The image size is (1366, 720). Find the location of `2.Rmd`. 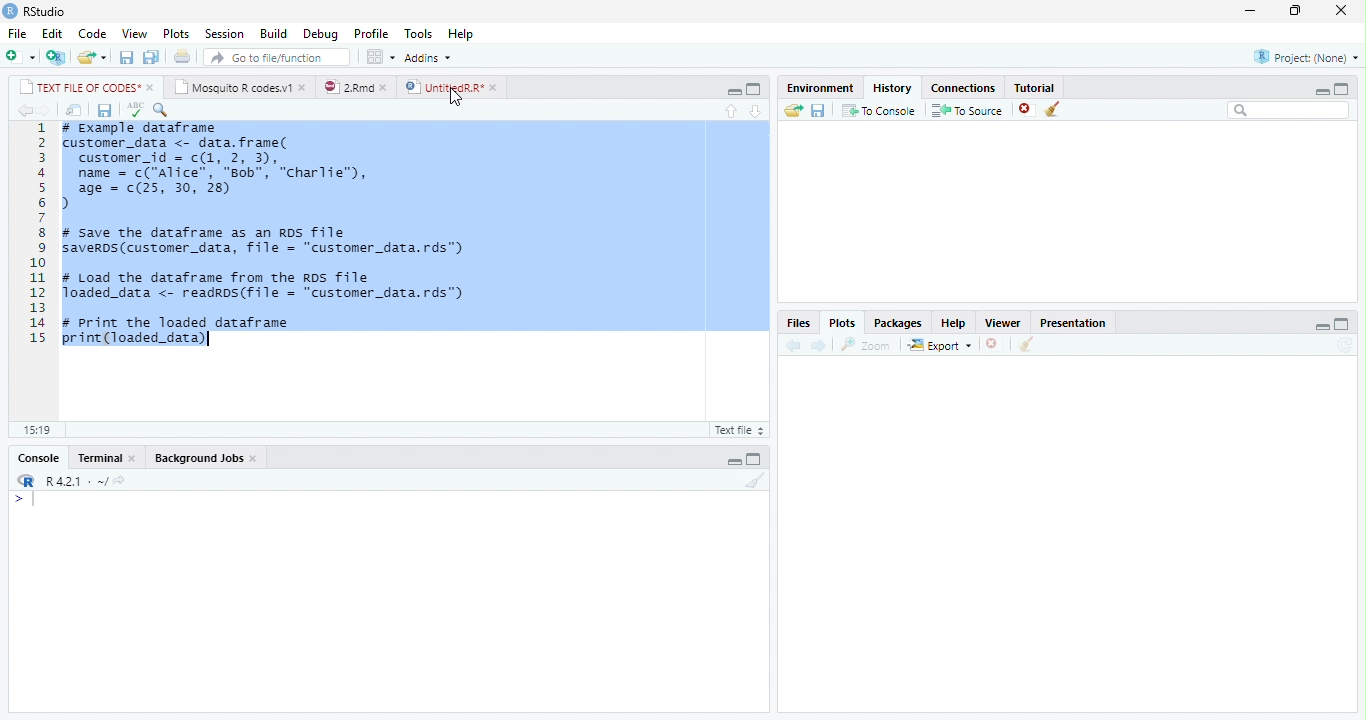

2.Rmd is located at coordinates (347, 87).